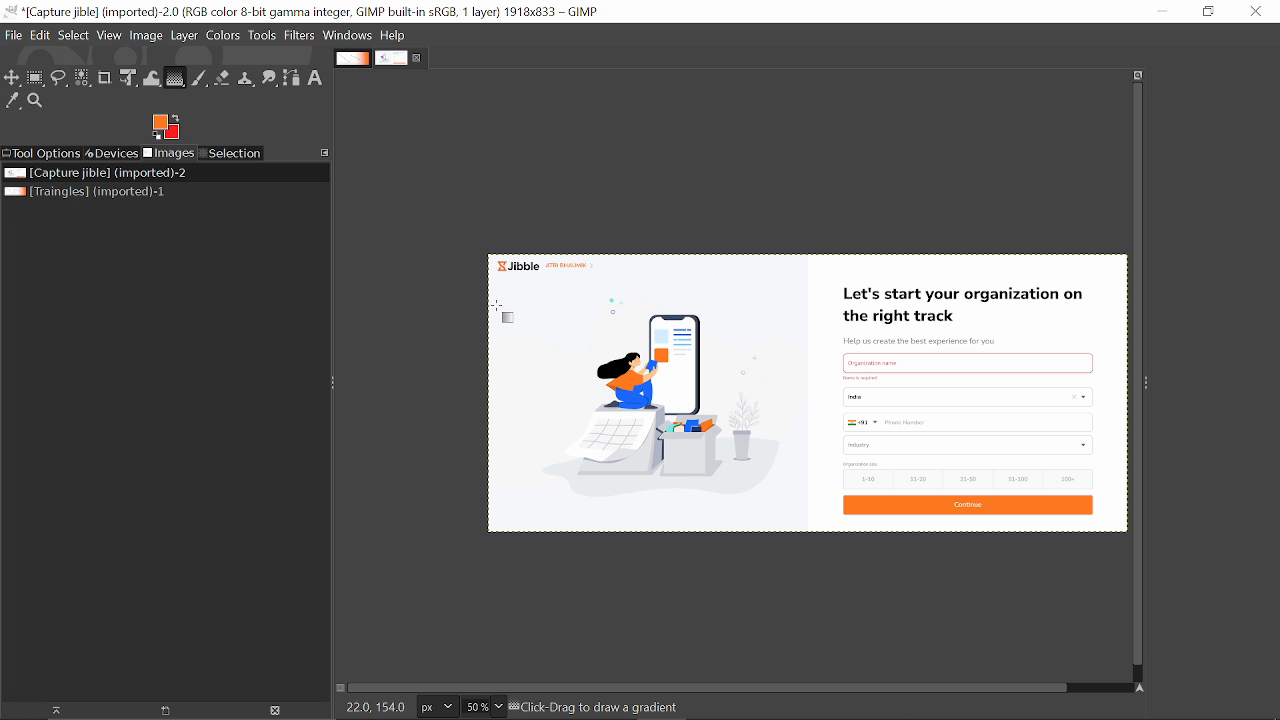 The image size is (1280, 720). I want to click on Current tab, so click(392, 58).